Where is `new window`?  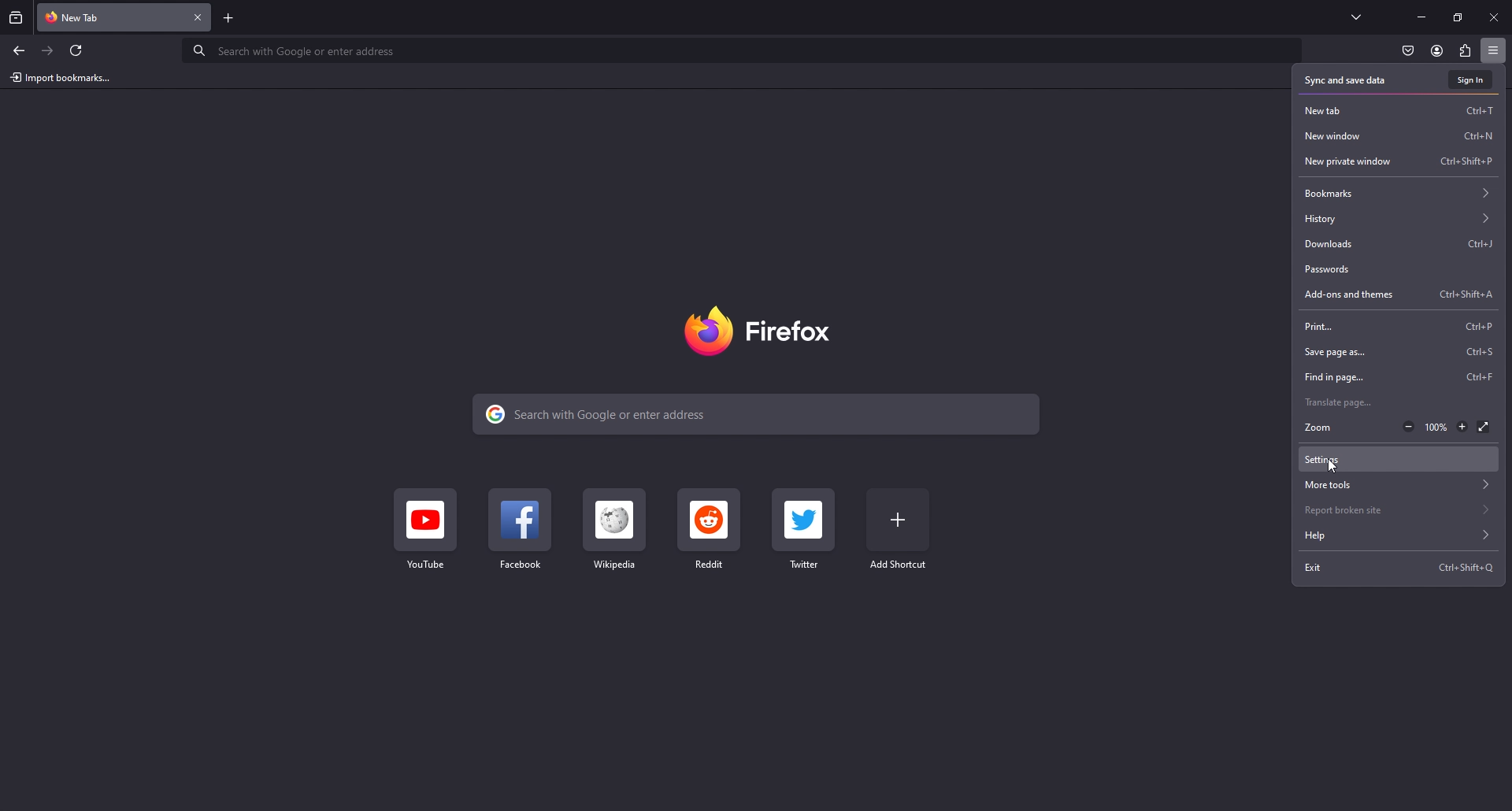 new window is located at coordinates (1399, 135).